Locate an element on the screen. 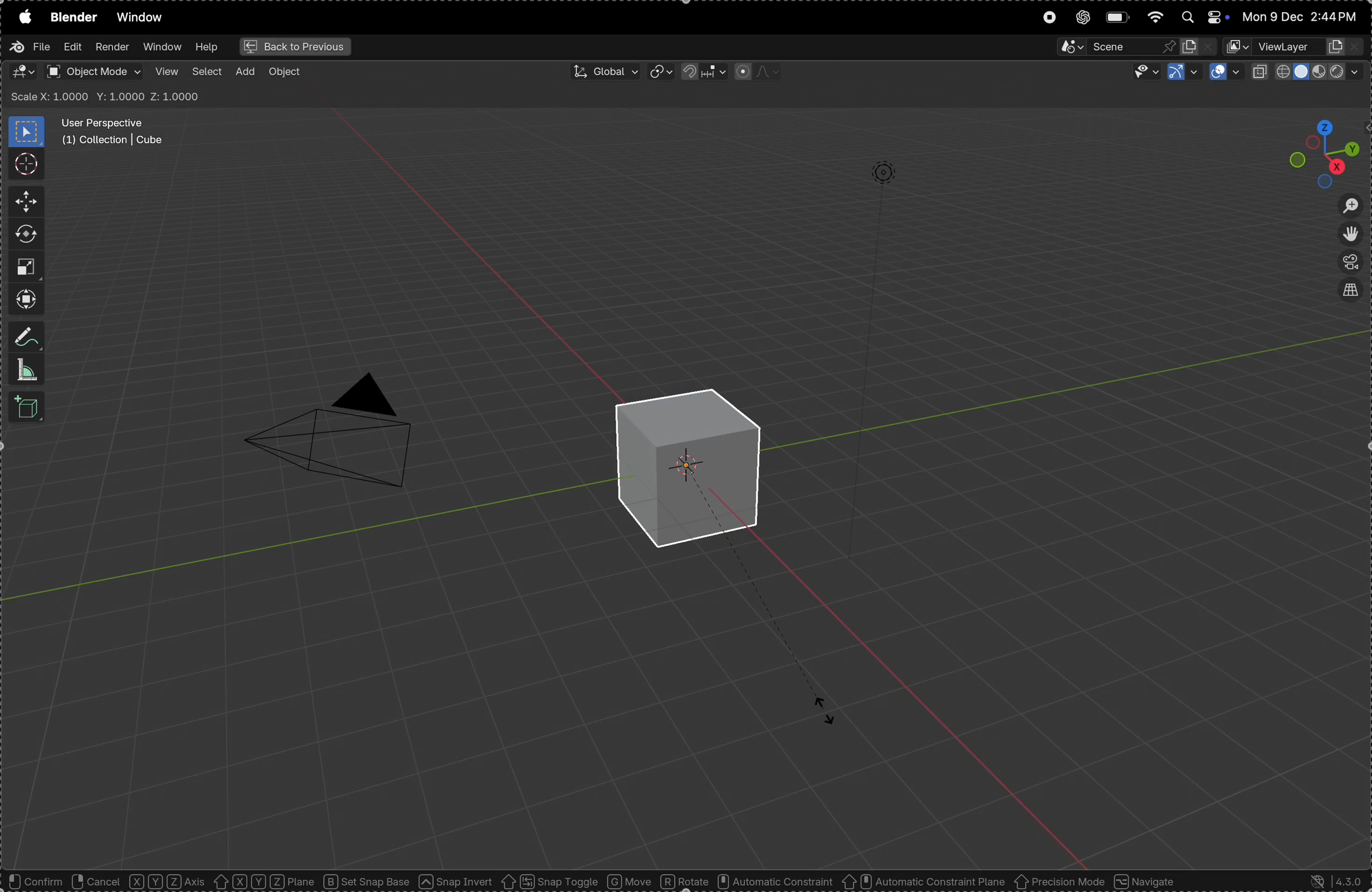 The width and height of the screenshot is (1372, 892). perspective is located at coordinates (1353, 263).